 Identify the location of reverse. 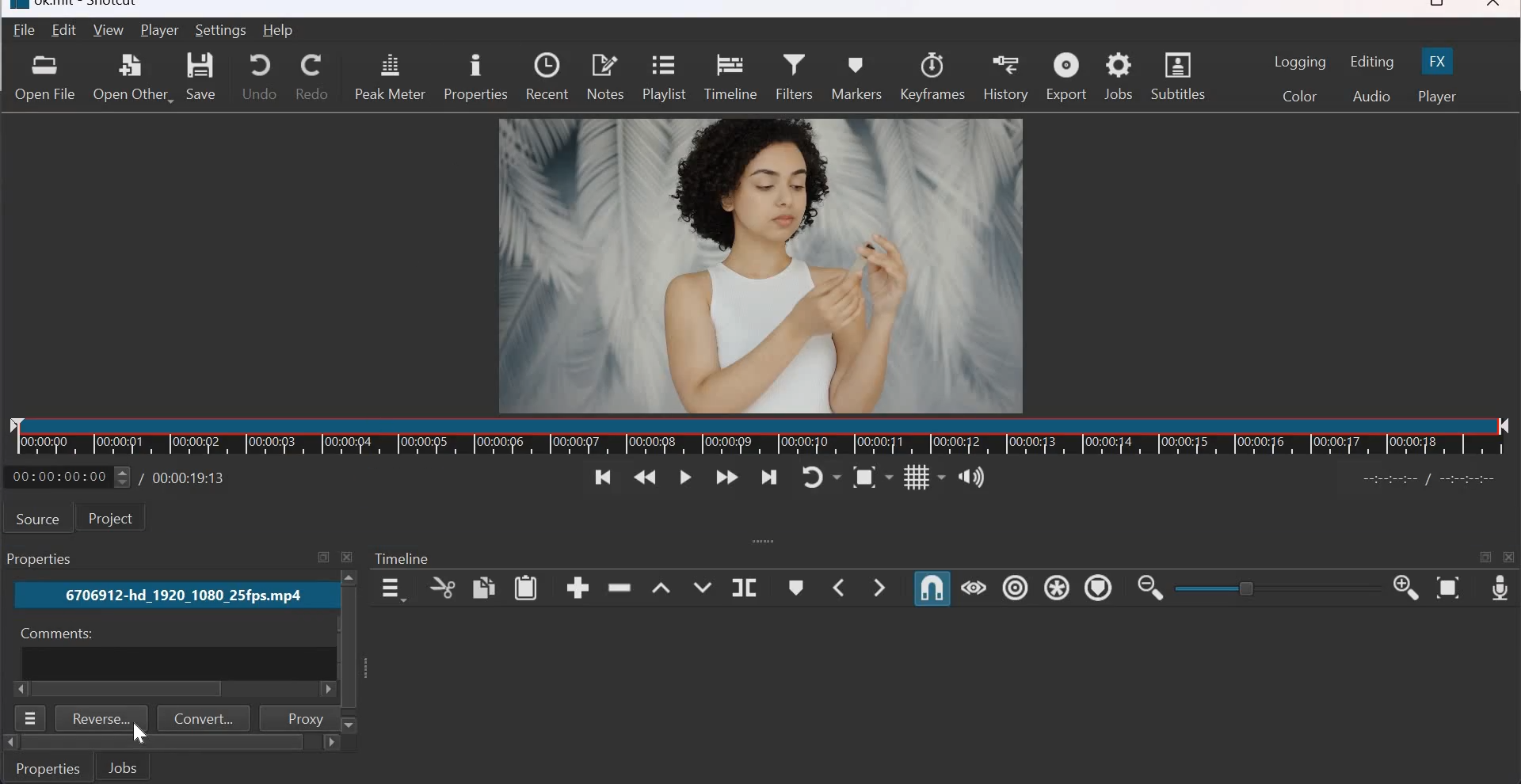
(102, 718).